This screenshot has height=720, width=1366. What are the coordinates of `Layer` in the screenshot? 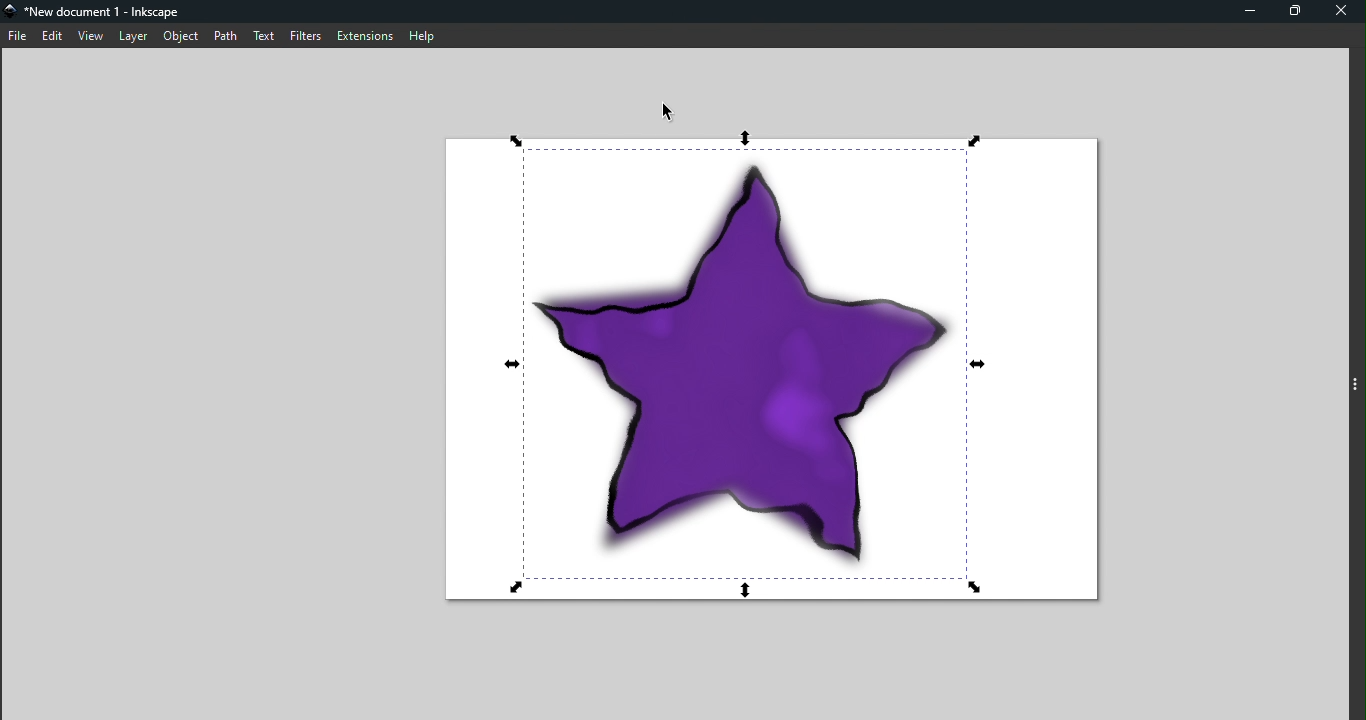 It's located at (131, 35).